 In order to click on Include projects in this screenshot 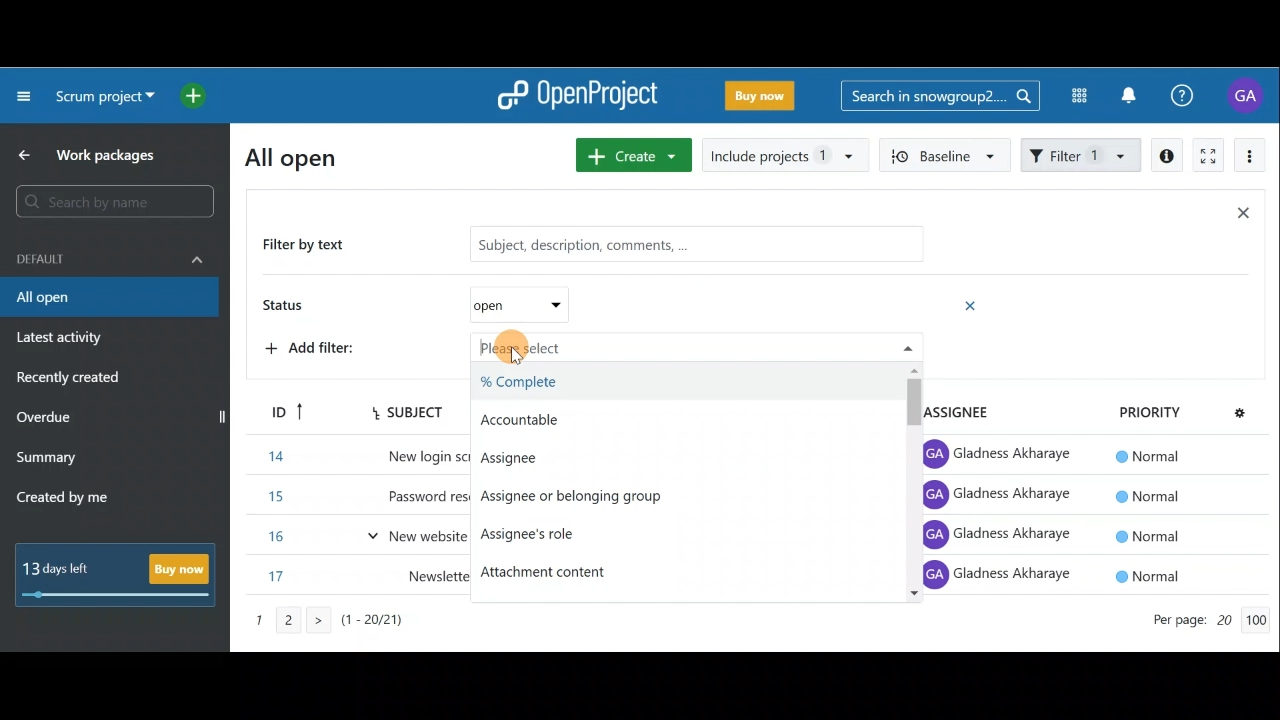, I will do `click(784, 156)`.